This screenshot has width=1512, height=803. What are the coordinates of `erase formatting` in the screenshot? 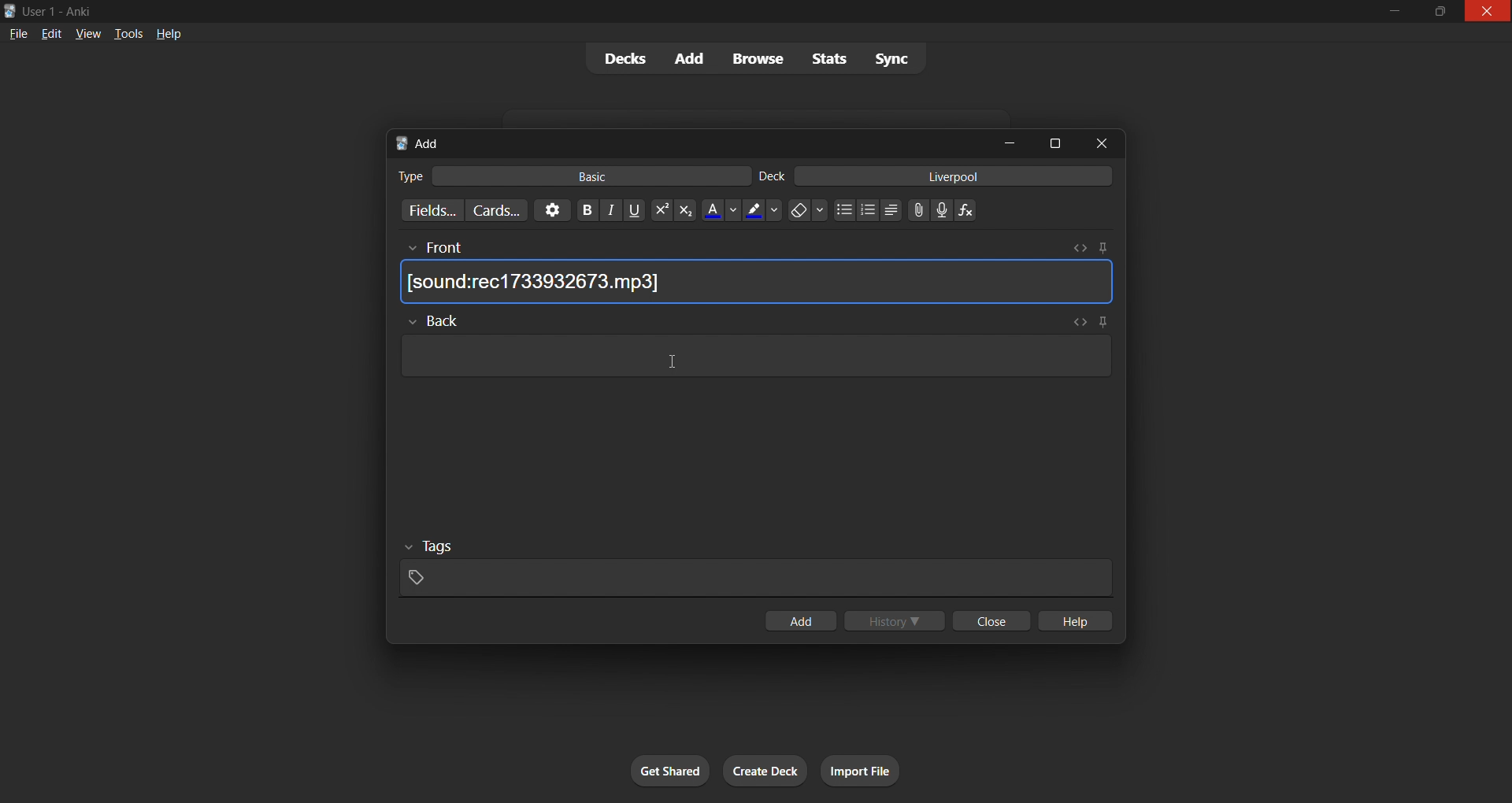 It's located at (806, 211).